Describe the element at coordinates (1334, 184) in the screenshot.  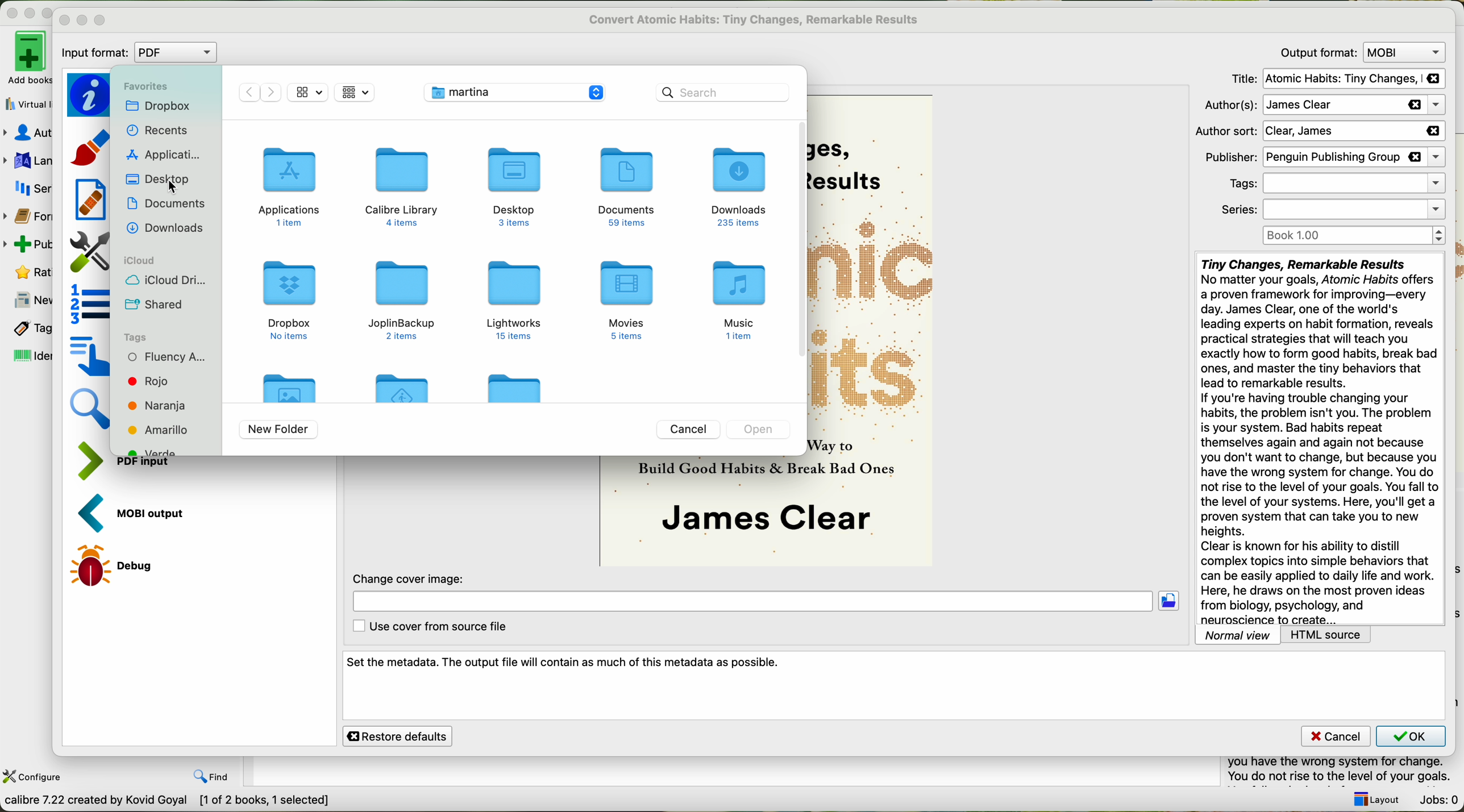
I see `tags` at that location.